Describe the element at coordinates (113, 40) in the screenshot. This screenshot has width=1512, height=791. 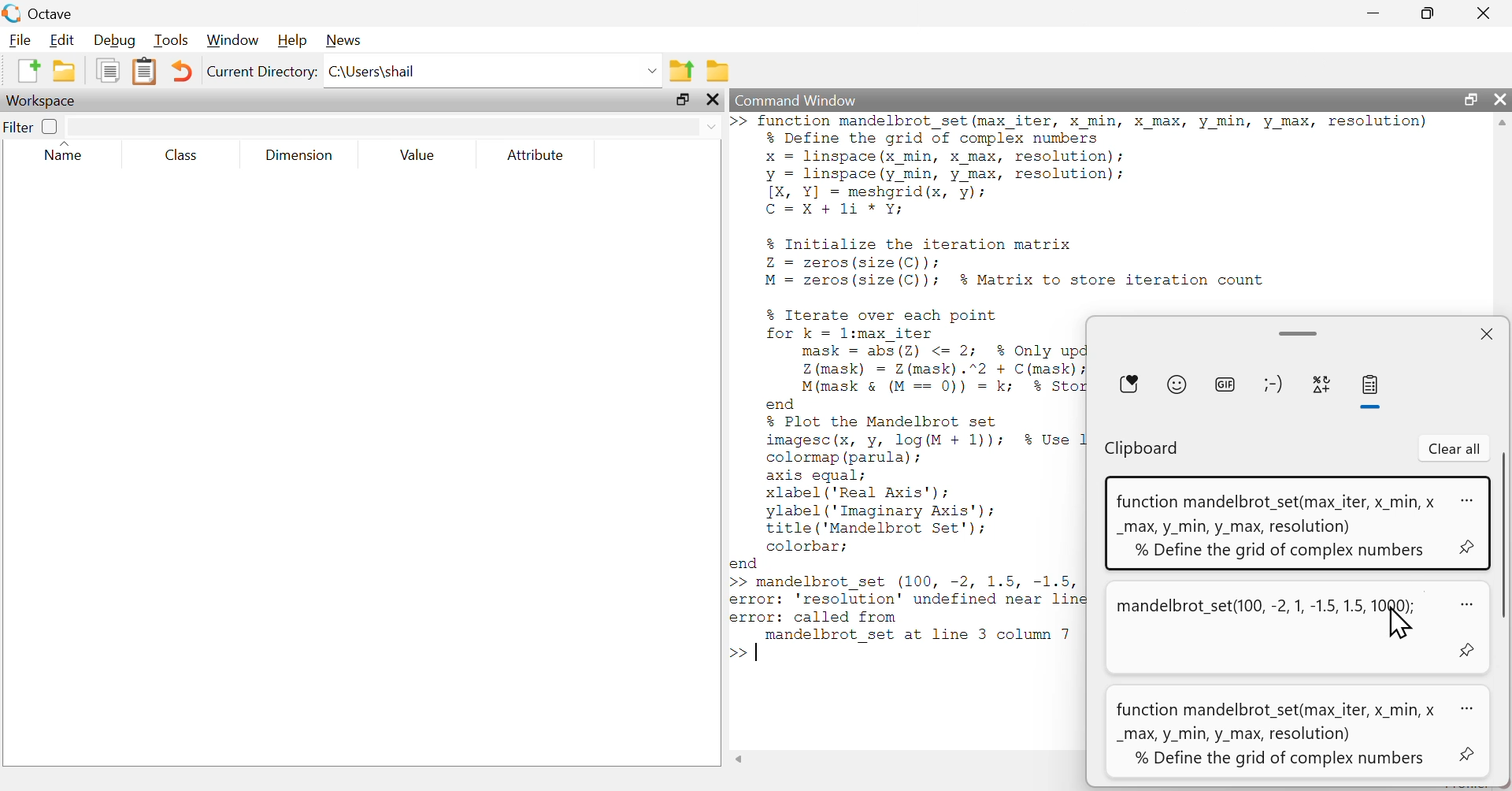
I see `Debug` at that location.